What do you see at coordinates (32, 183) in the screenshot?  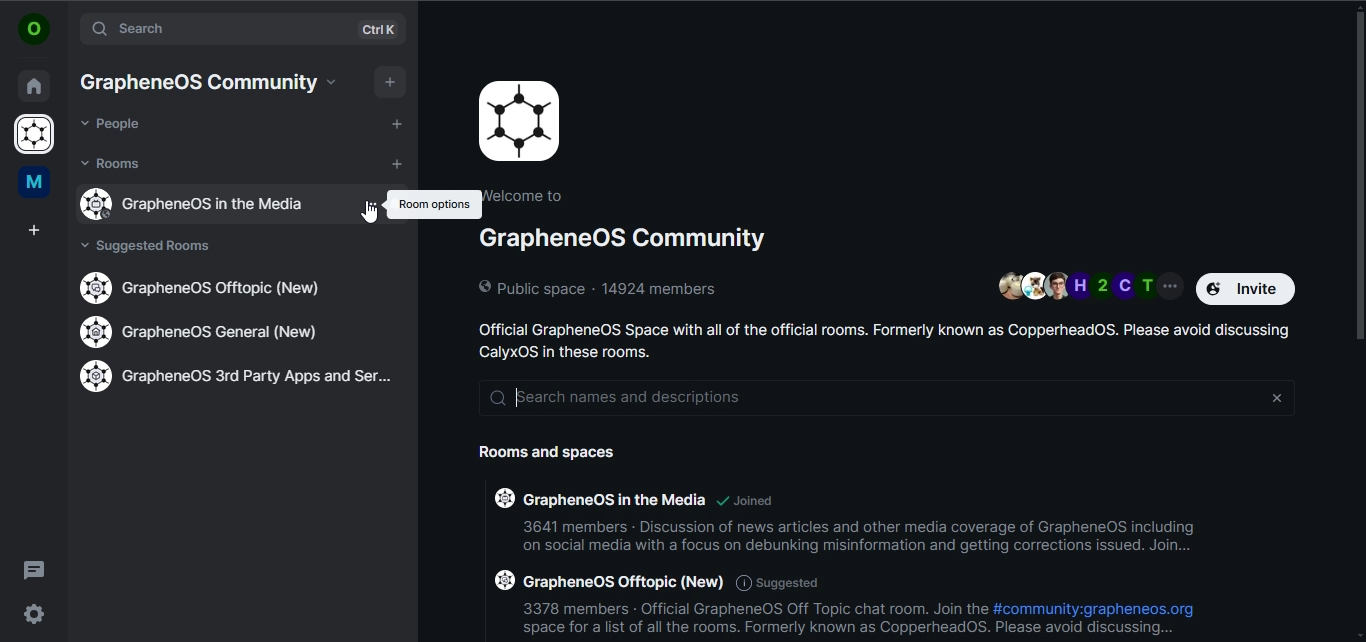 I see `me` at bounding box center [32, 183].